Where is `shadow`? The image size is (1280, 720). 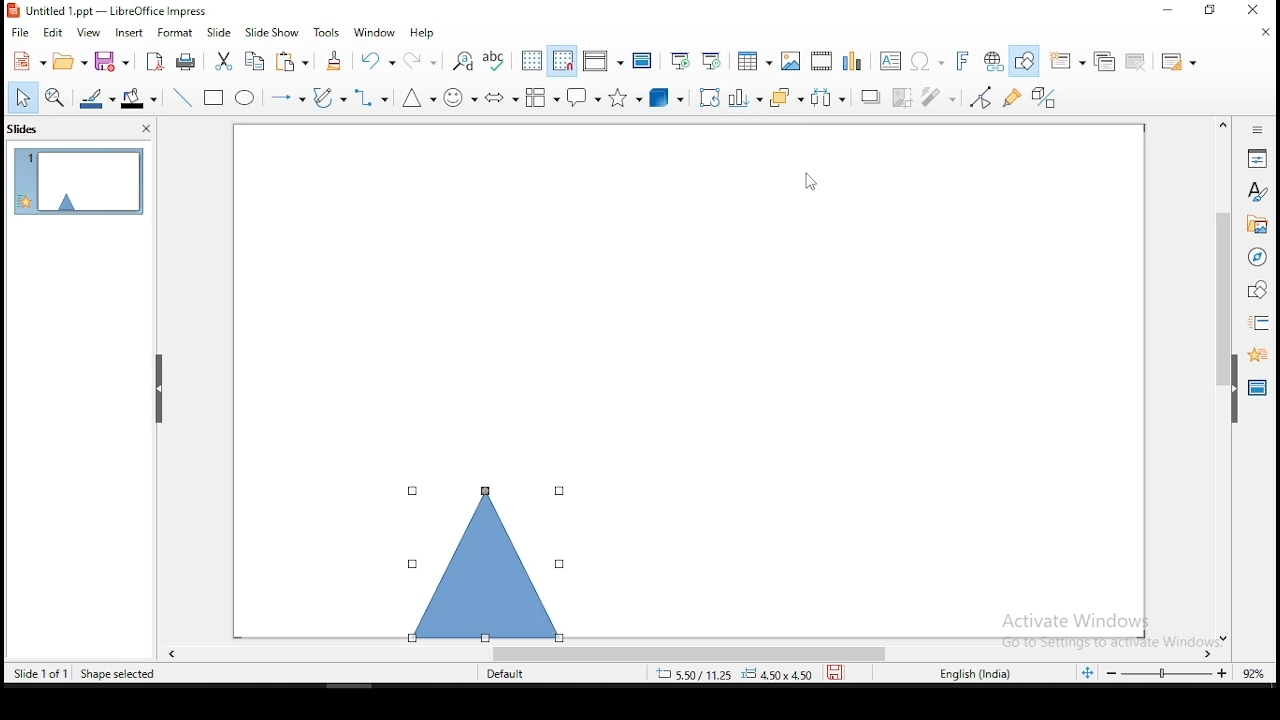 shadow is located at coordinates (871, 98).